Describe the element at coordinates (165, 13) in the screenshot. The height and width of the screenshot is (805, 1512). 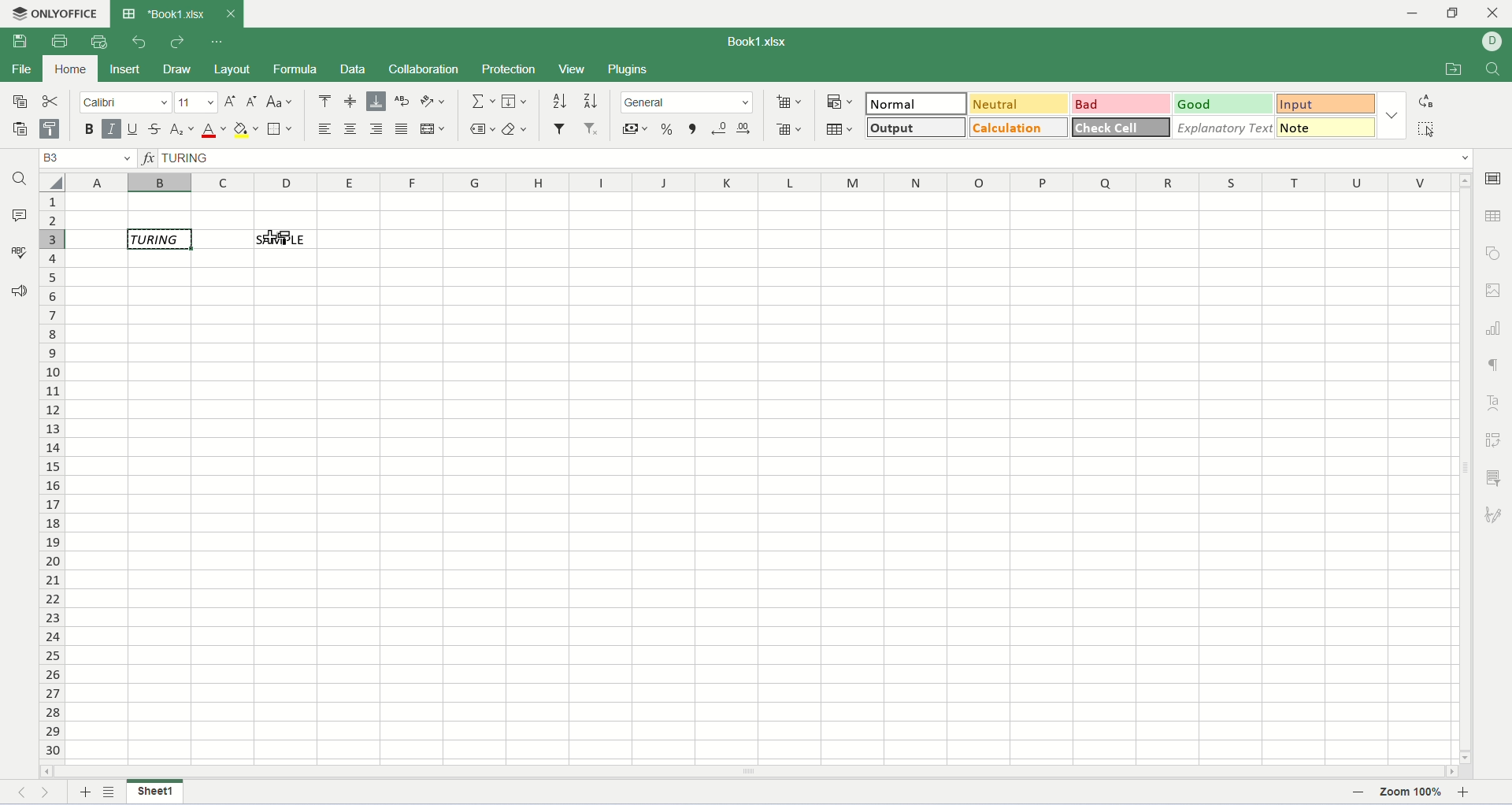
I see `sheet tab` at that location.